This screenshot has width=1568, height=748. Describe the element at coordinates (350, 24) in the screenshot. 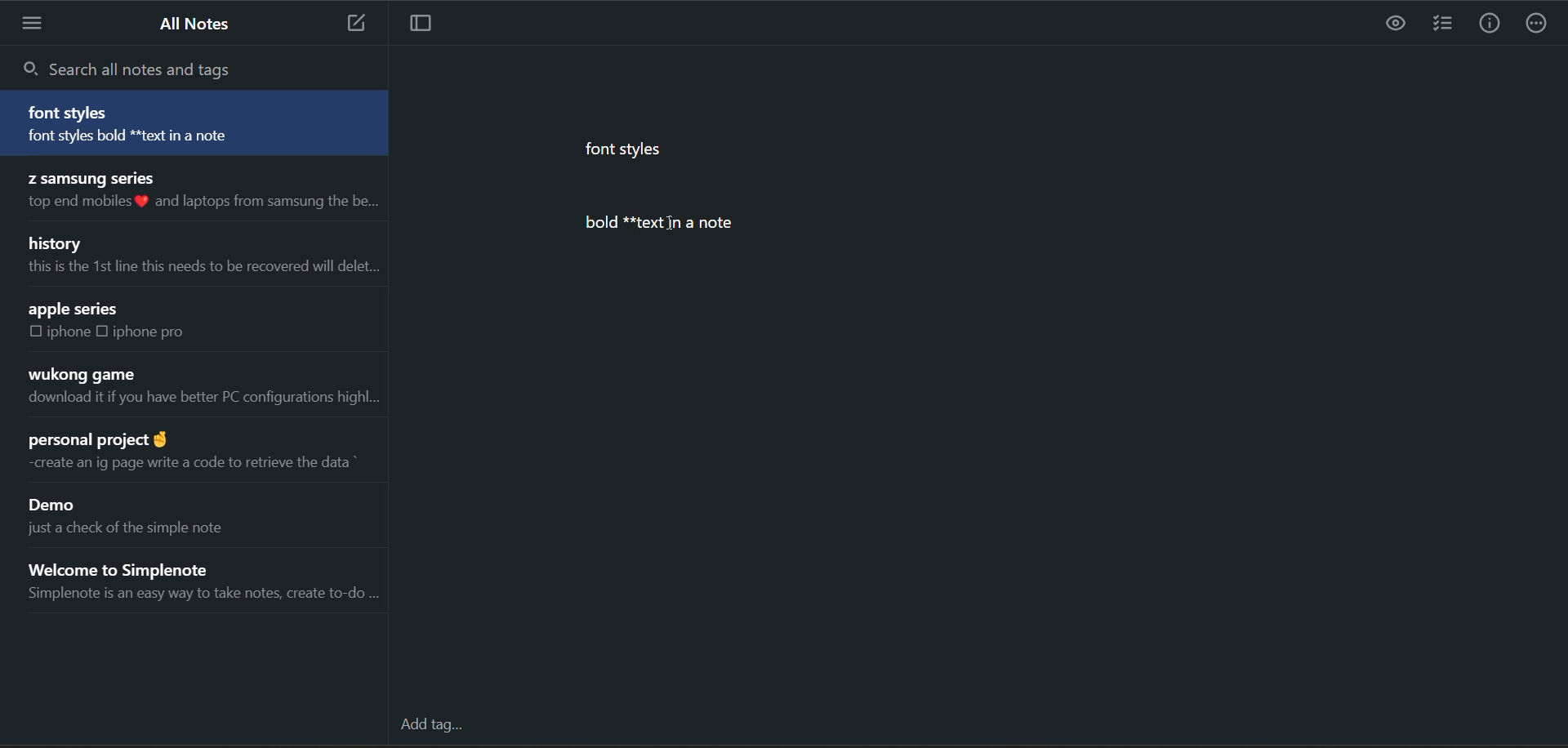

I see `add new note` at that location.